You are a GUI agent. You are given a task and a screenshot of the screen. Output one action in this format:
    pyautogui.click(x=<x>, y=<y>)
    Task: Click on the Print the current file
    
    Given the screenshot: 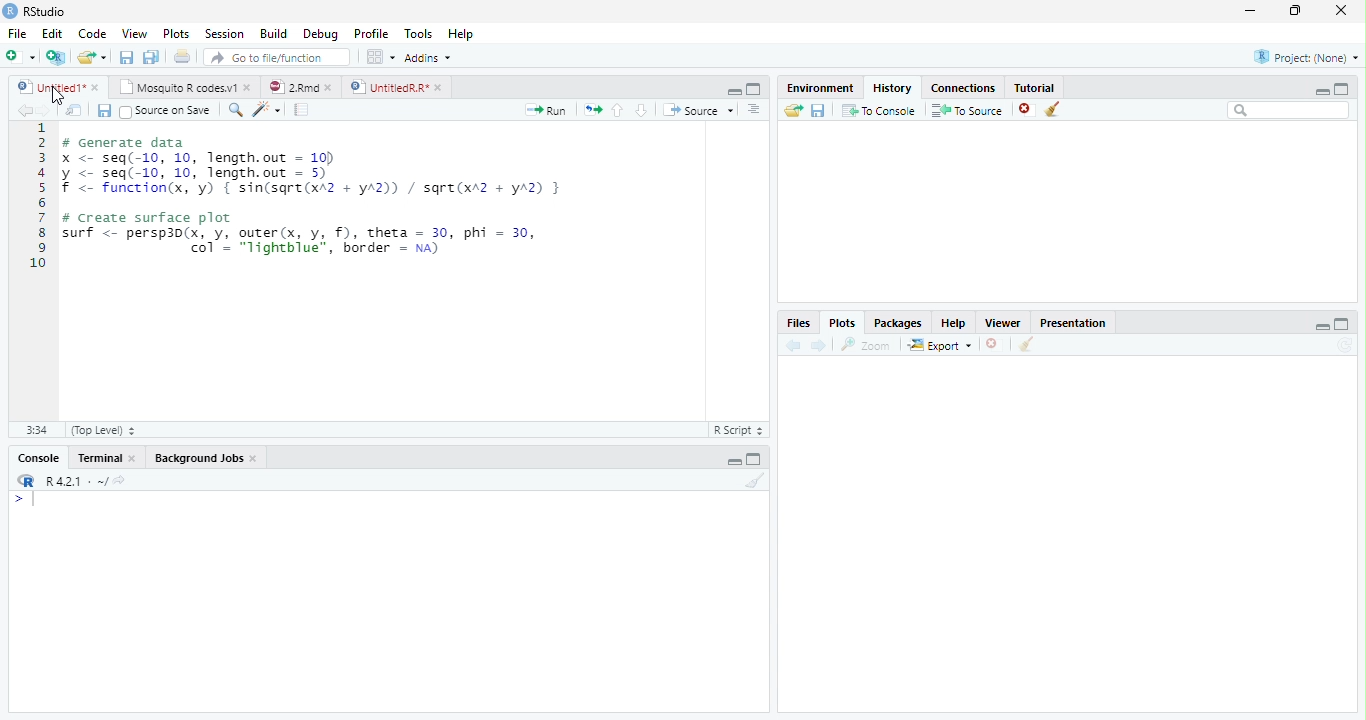 What is the action you would take?
    pyautogui.click(x=182, y=55)
    